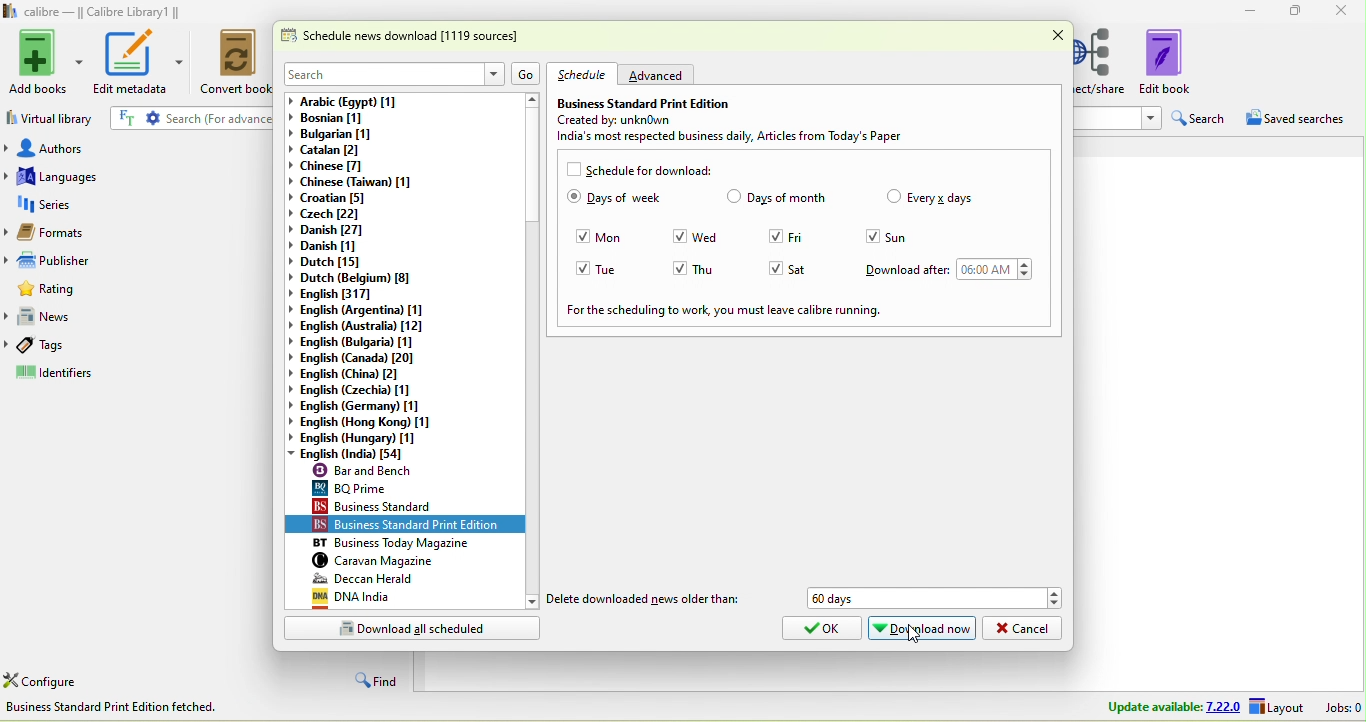 The height and width of the screenshot is (722, 1366). I want to click on languages, so click(140, 177).